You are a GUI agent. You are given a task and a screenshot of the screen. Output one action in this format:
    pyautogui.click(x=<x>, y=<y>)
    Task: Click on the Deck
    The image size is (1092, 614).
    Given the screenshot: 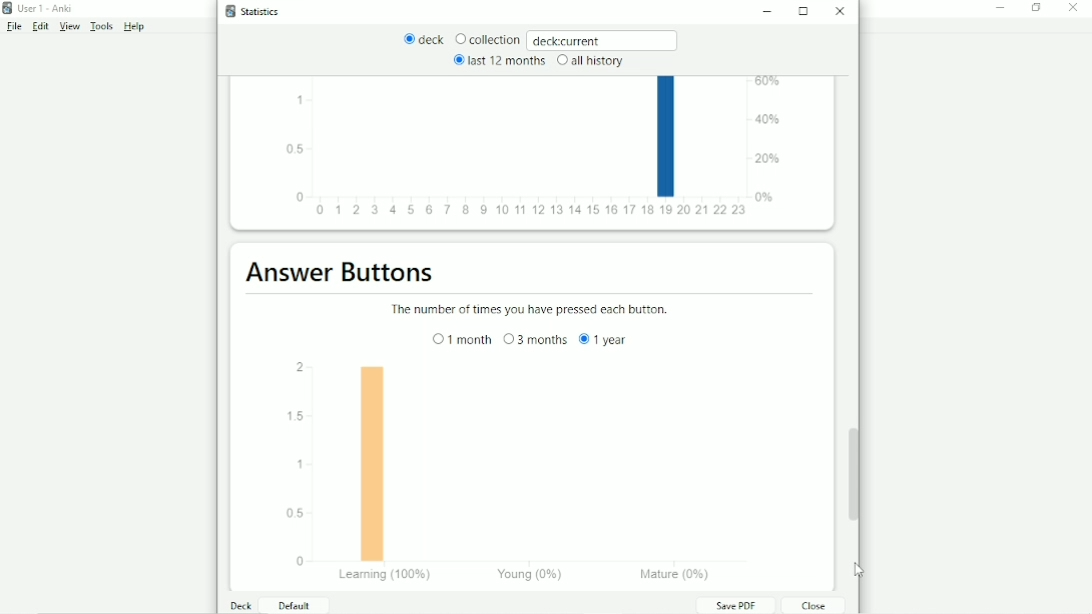 What is the action you would take?
    pyautogui.click(x=242, y=605)
    